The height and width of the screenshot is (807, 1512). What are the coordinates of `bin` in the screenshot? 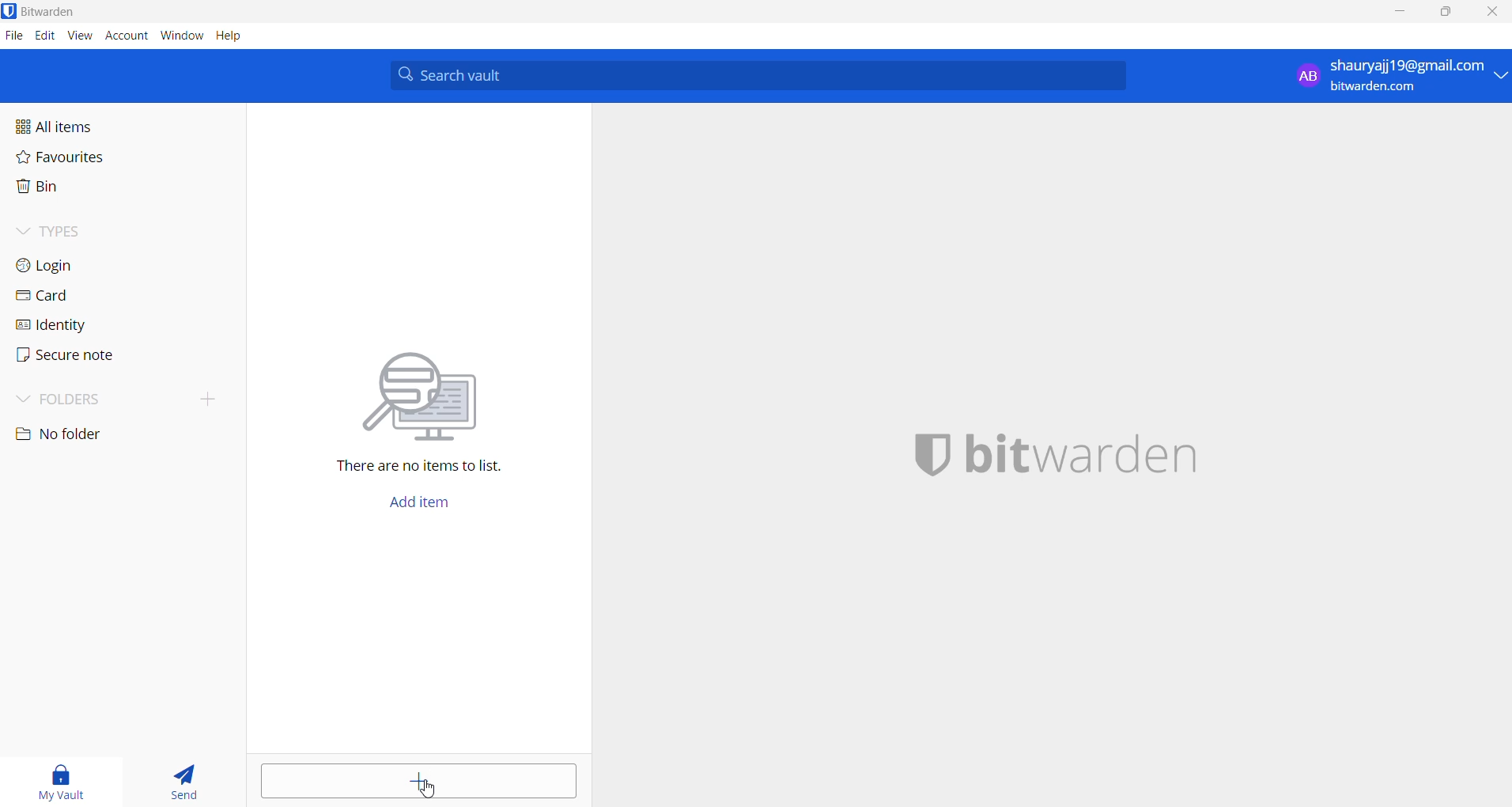 It's located at (81, 191).